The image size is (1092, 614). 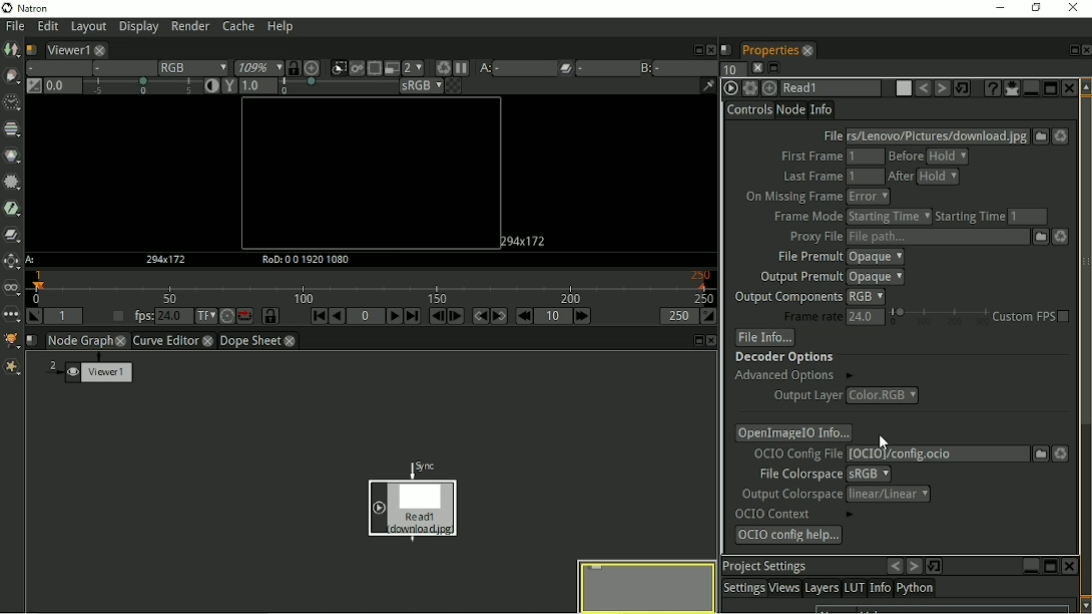 I want to click on Layer, so click(x=55, y=68).